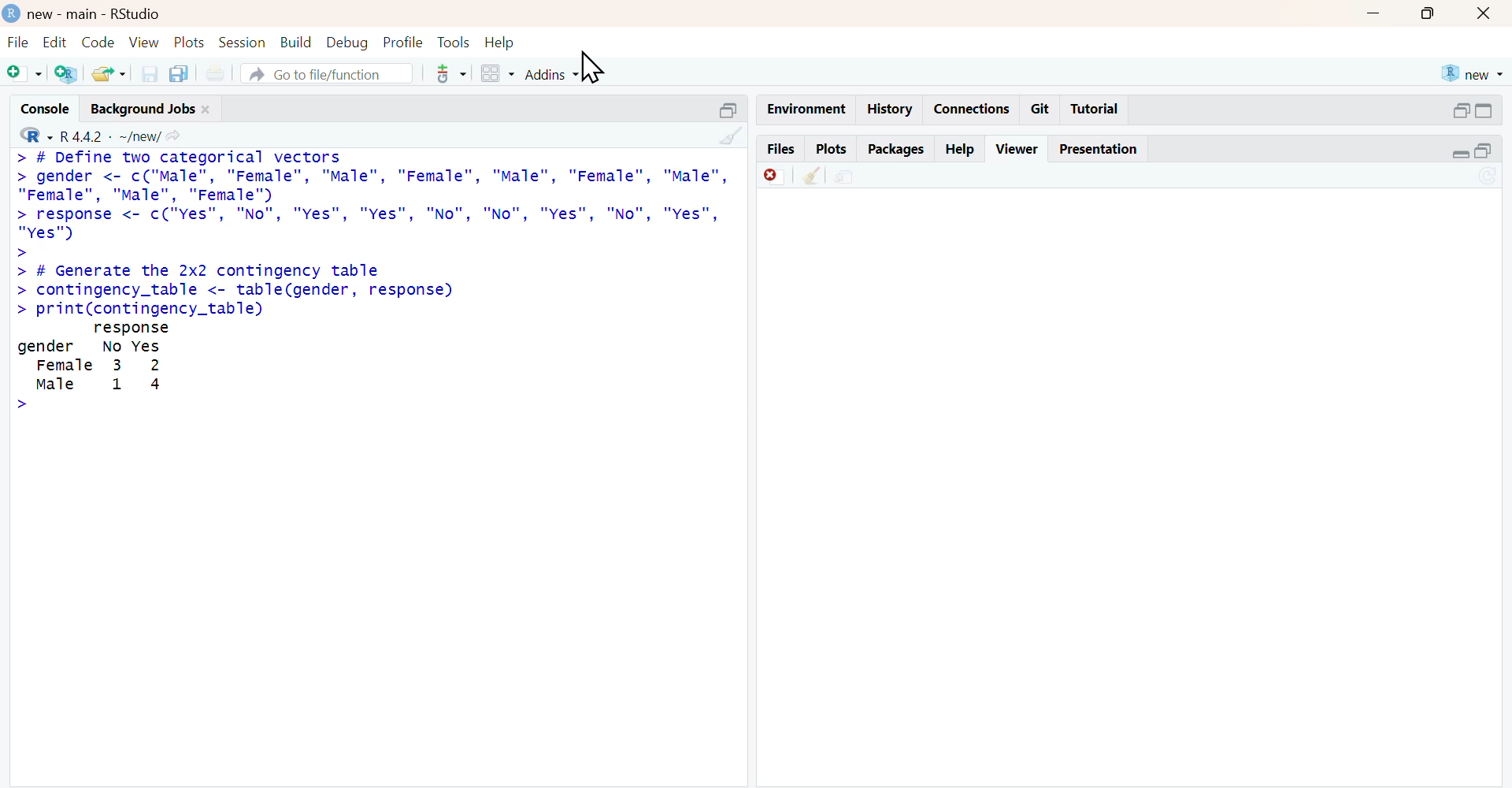  I want to click on Environment , so click(808, 109).